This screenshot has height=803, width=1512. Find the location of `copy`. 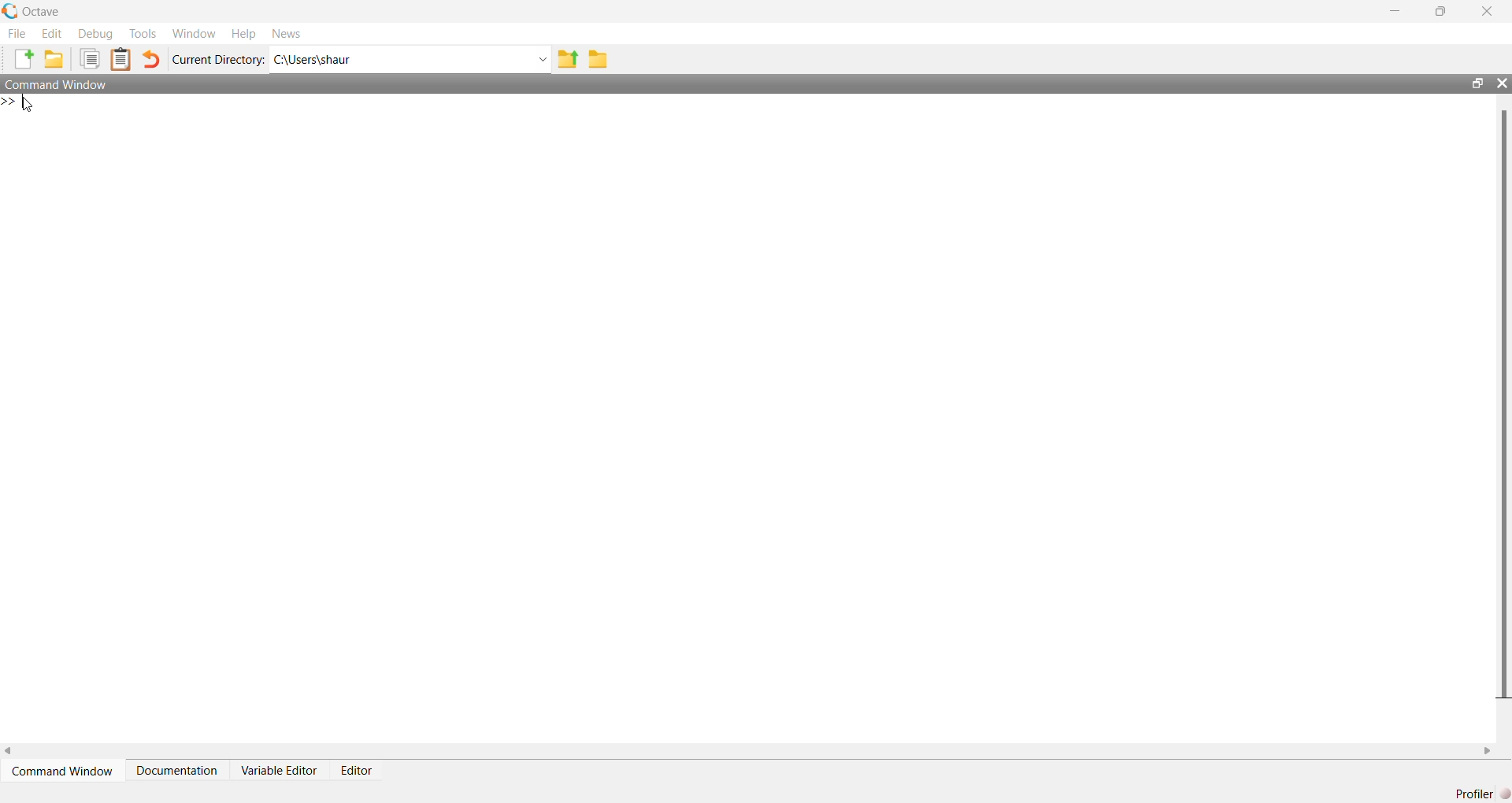

copy is located at coordinates (89, 58).